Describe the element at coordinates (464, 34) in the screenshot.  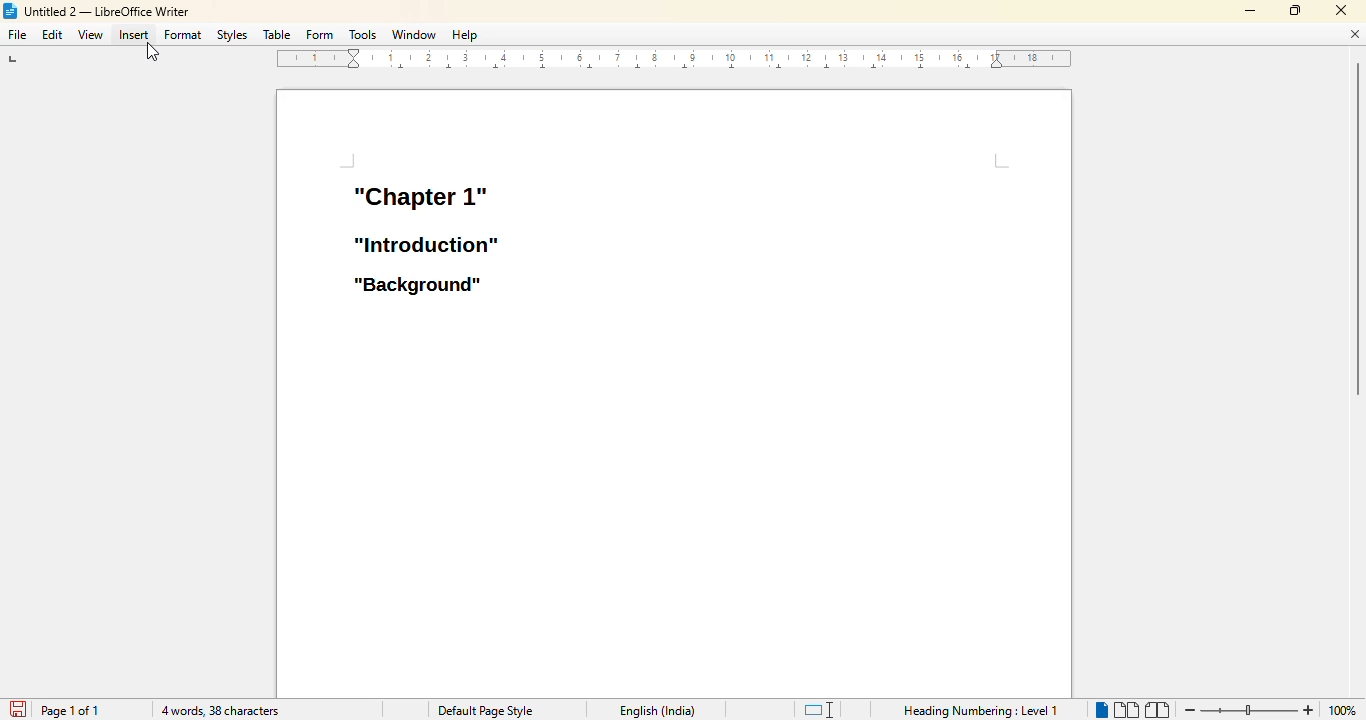
I see `help` at that location.